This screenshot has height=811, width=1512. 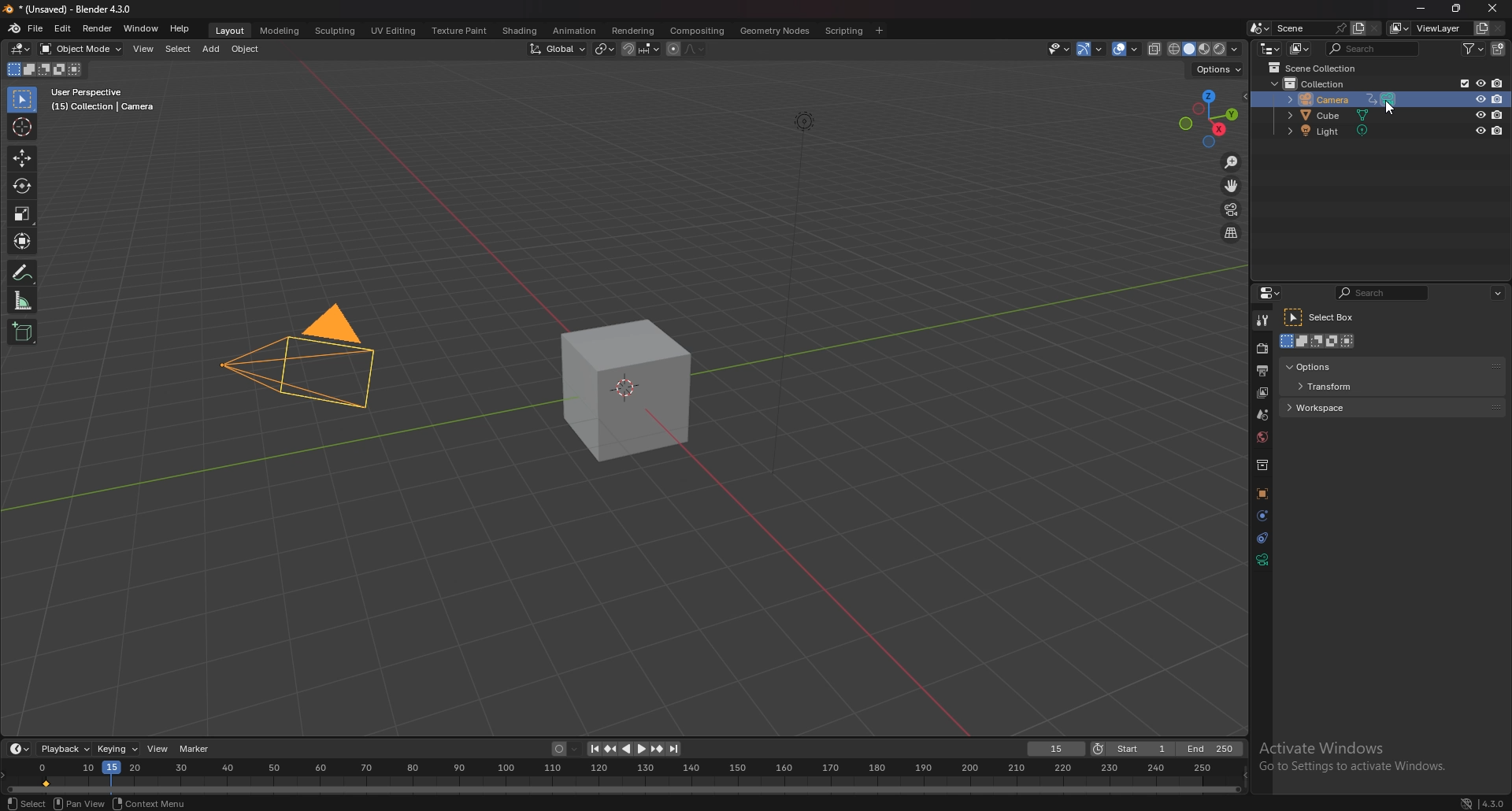 I want to click on cursor, so click(x=1390, y=109).